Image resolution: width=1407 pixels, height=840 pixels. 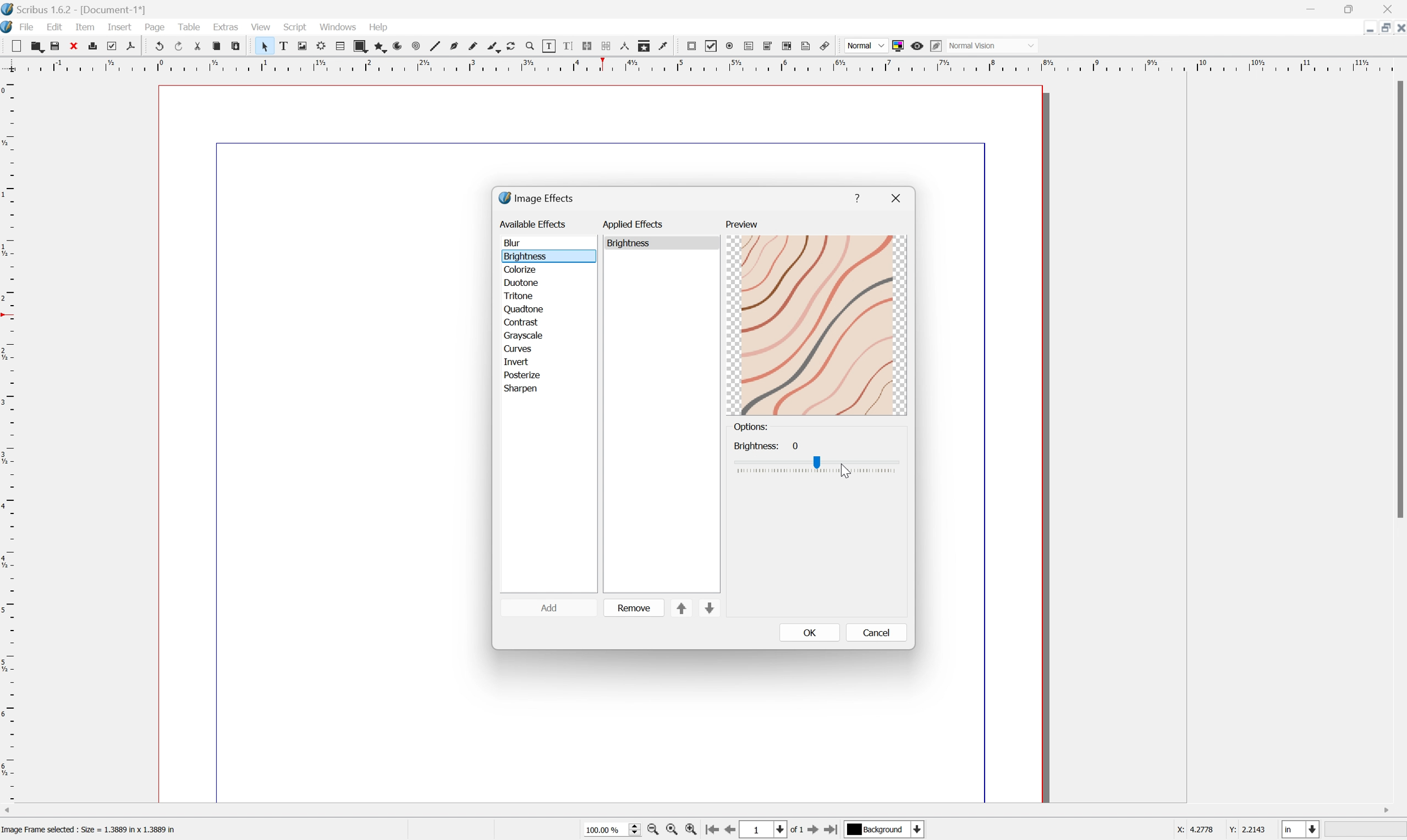 I want to click on Next Page, so click(x=816, y=830).